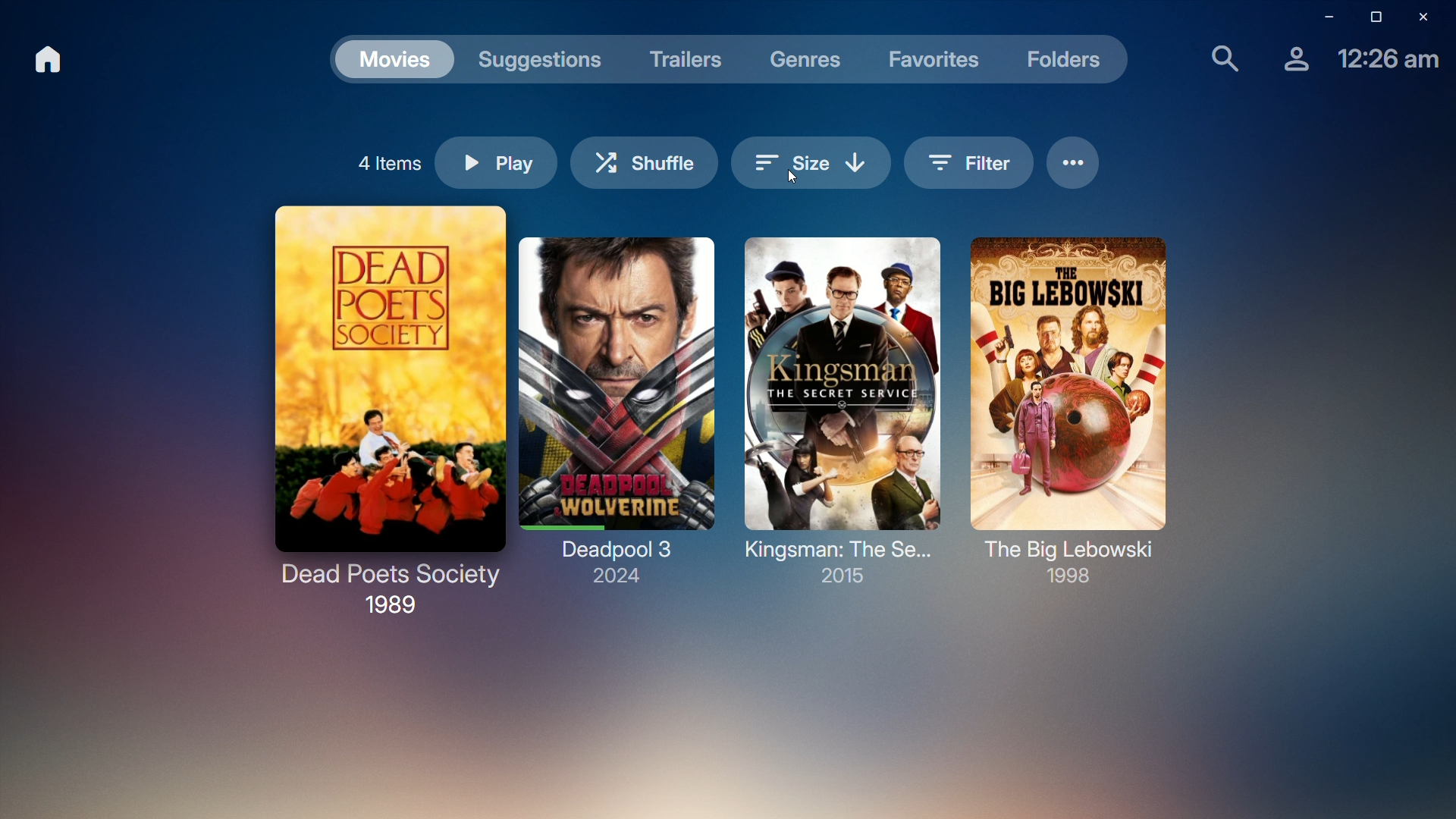  I want to click on Trailers, so click(686, 57).